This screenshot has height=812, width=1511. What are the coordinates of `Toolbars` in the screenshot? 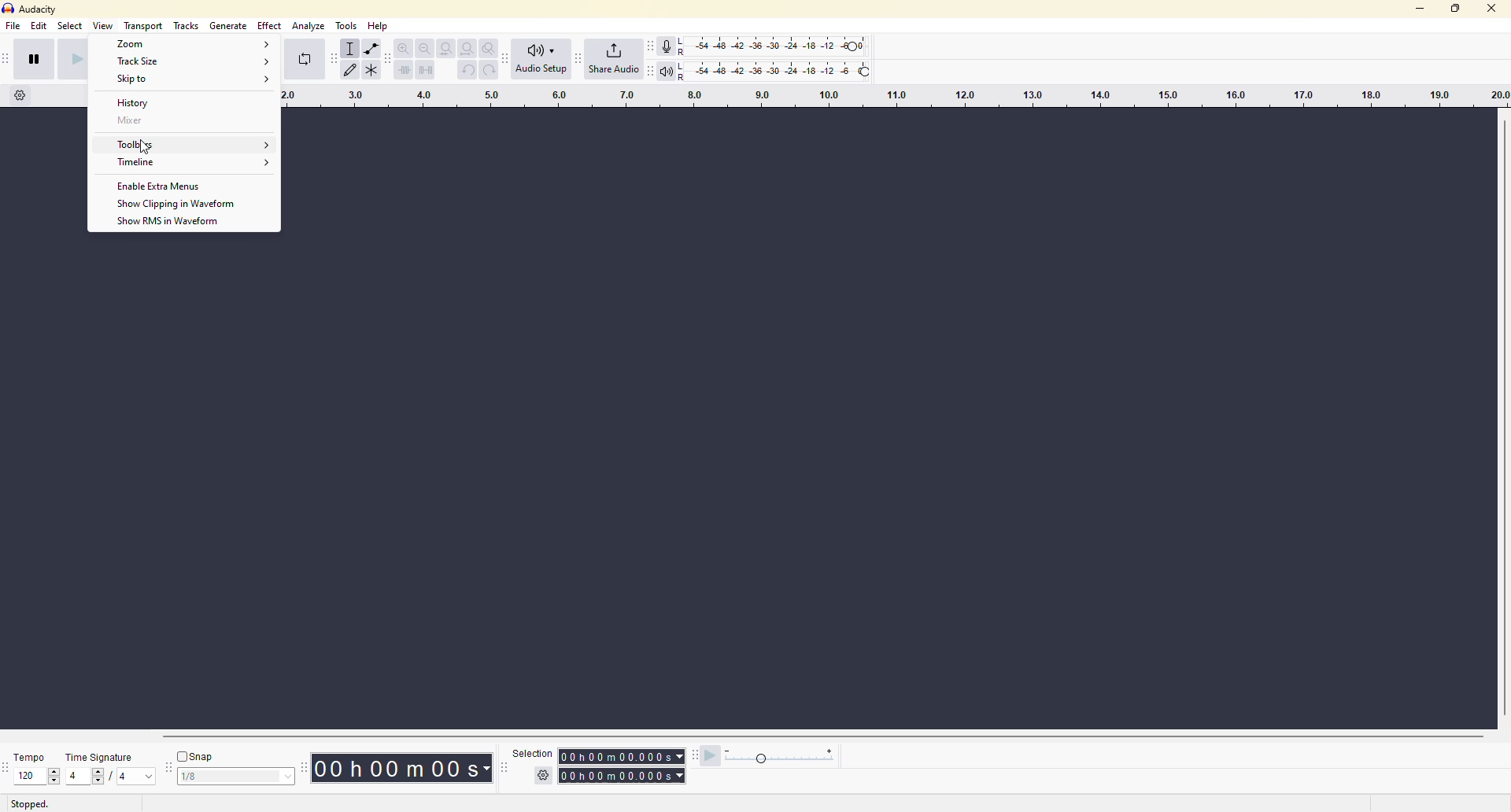 It's located at (194, 145).